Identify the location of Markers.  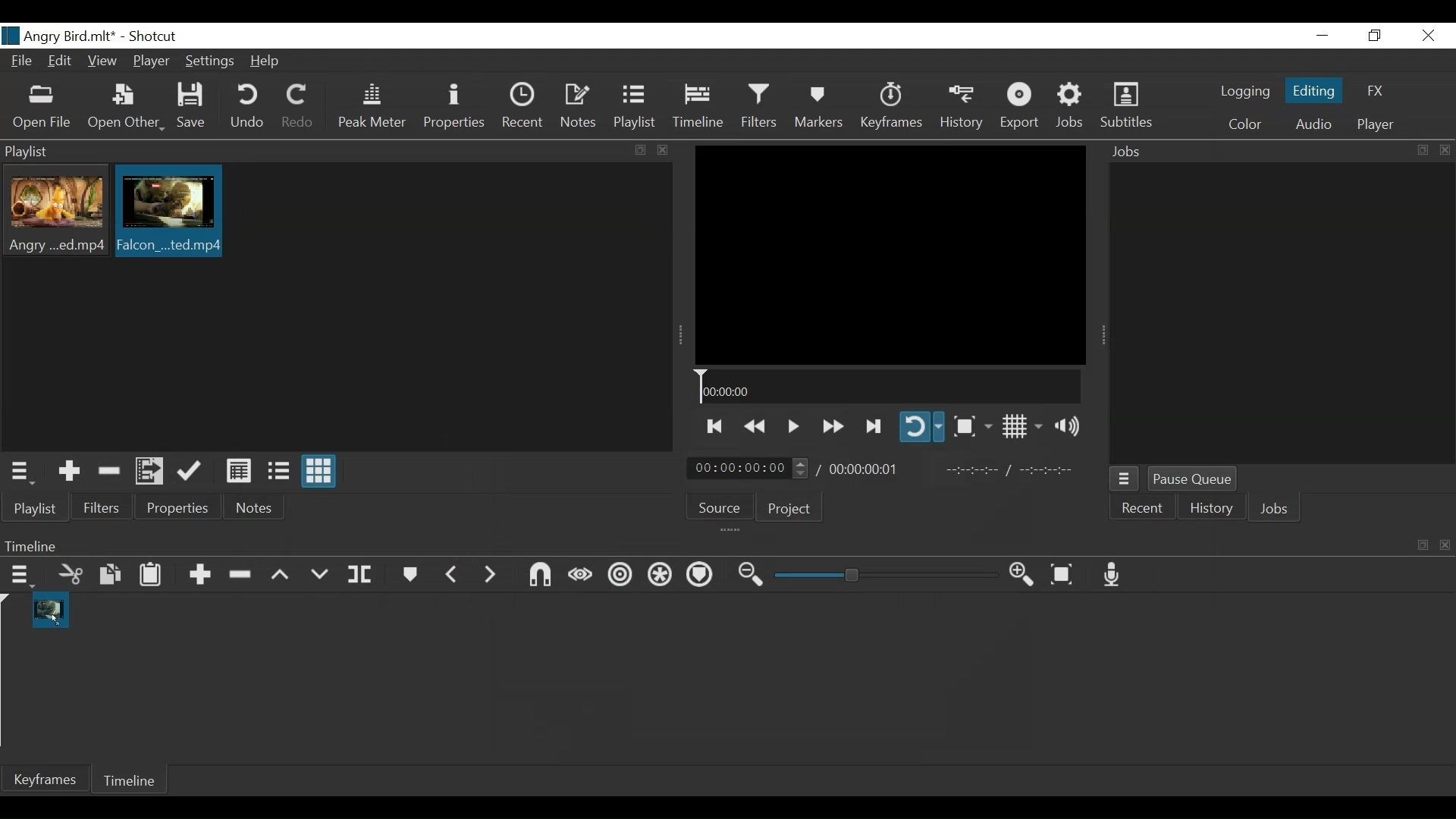
(818, 106).